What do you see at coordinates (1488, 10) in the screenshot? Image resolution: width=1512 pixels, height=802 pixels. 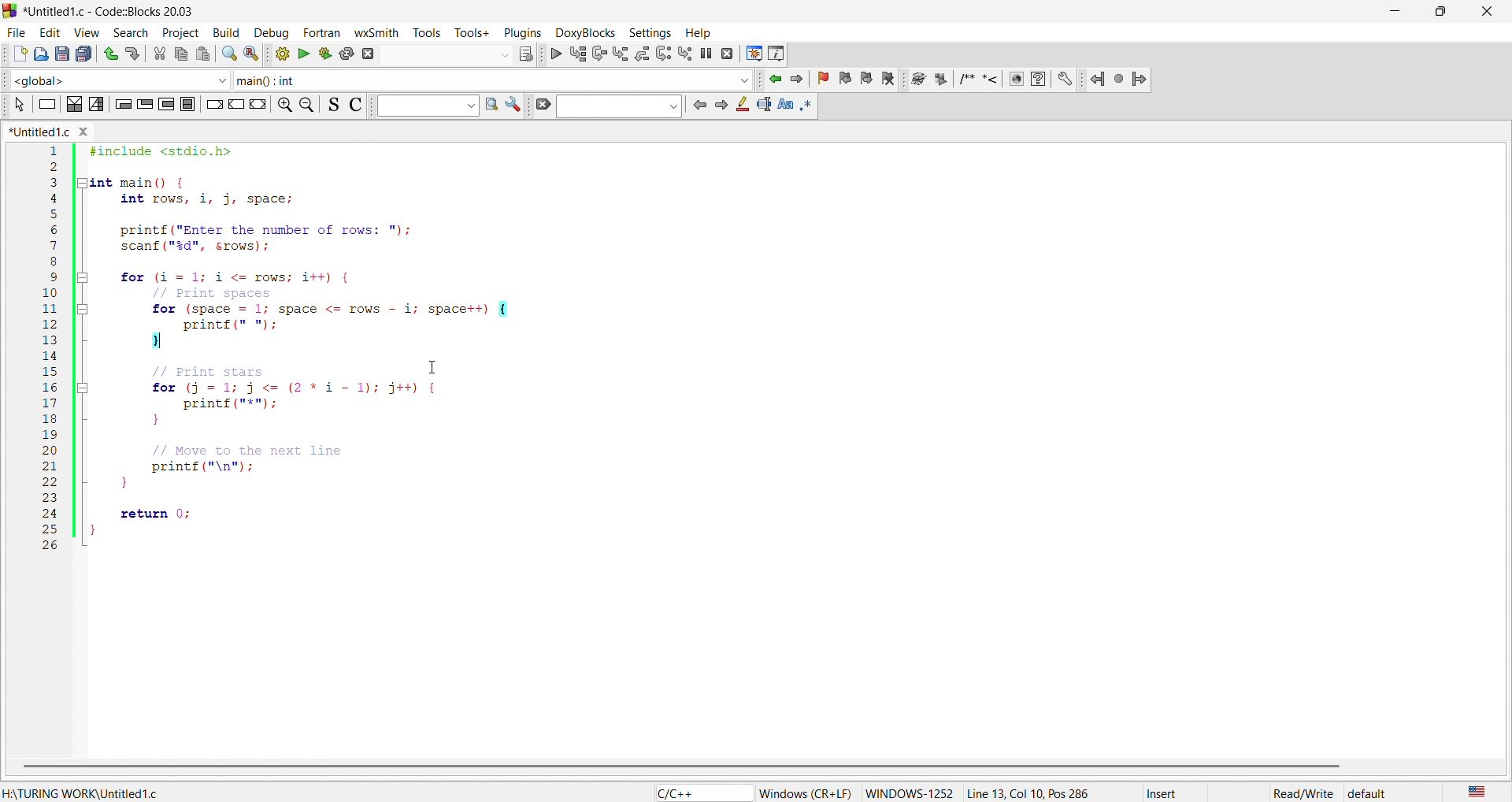 I see `close` at bounding box center [1488, 10].